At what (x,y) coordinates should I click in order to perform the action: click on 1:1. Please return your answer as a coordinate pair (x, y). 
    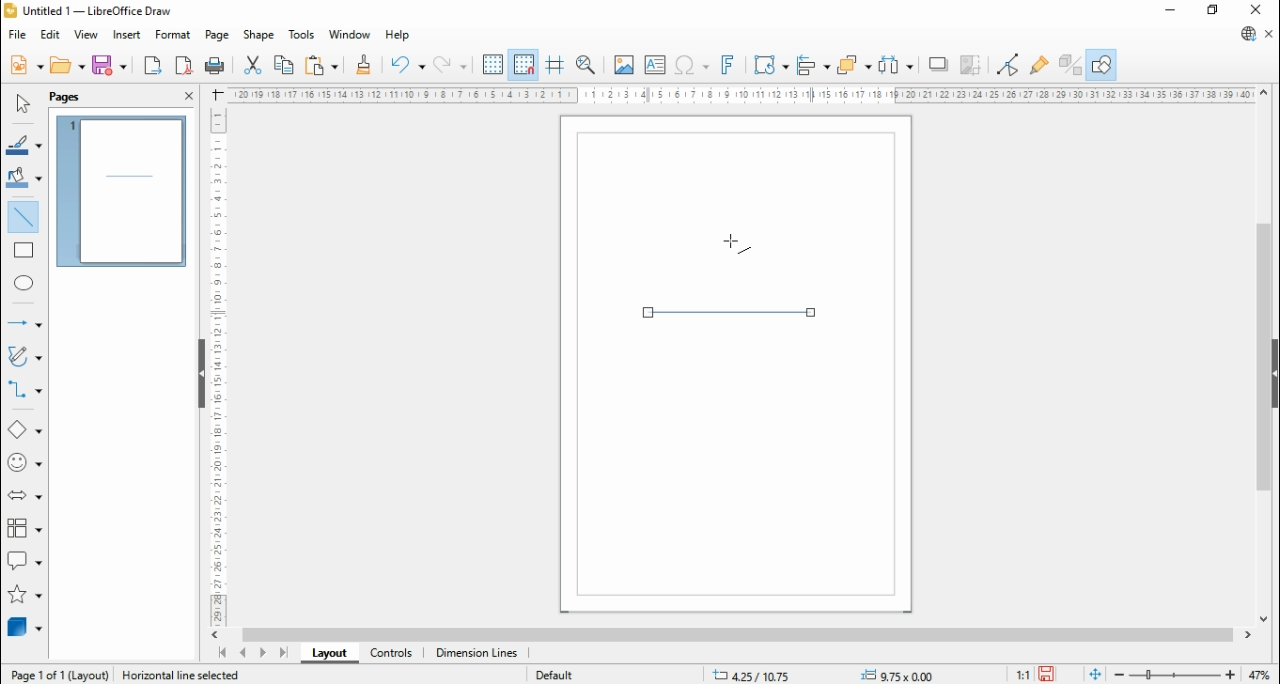
    Looking at the image, I should click on (1021, 675).